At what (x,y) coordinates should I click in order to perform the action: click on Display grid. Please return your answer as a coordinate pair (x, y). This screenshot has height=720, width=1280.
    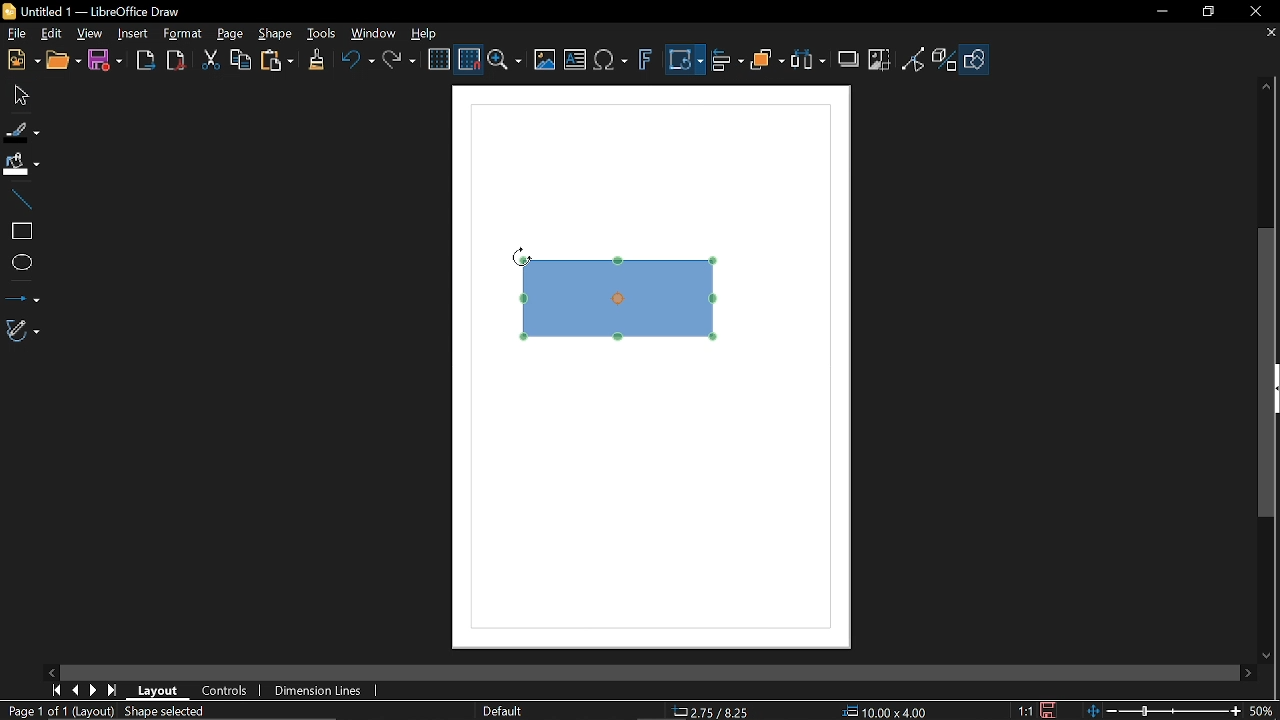
    Looking at the image, I should click on (439, 61).